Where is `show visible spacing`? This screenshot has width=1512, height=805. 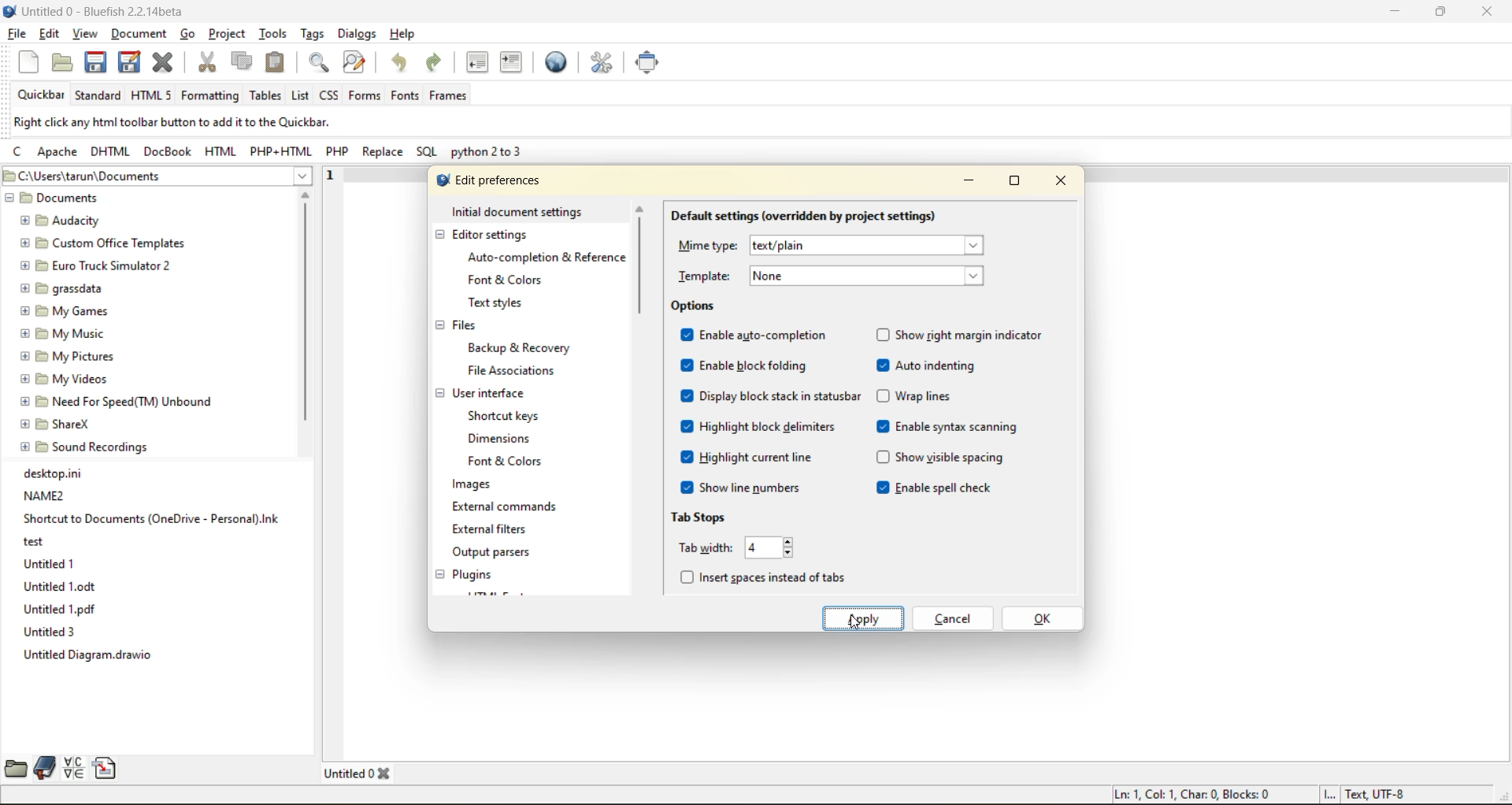 show visible spacing is located at coordinates (941, 460).